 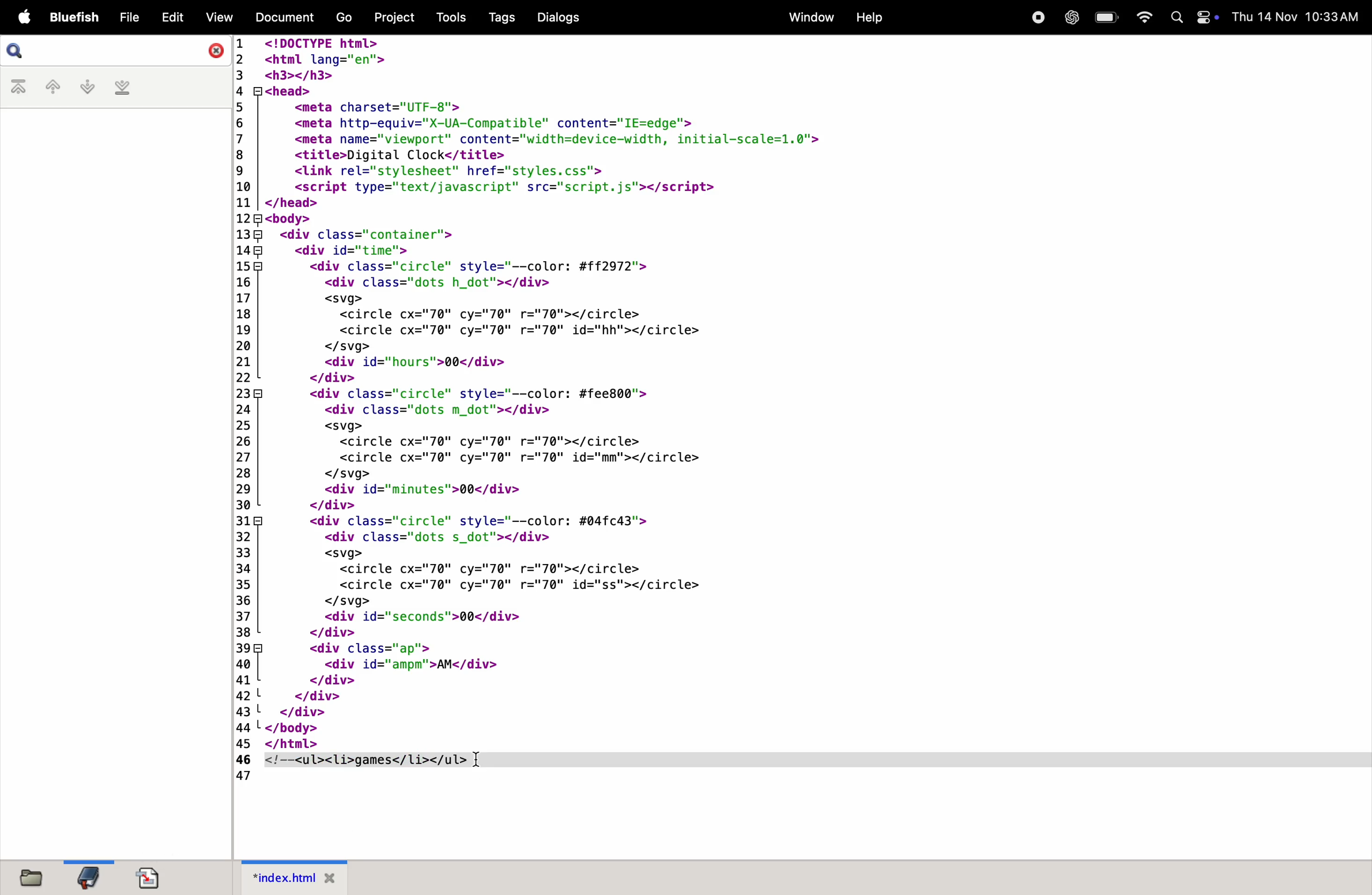 I want to click on help, so click(x=872, y=16).